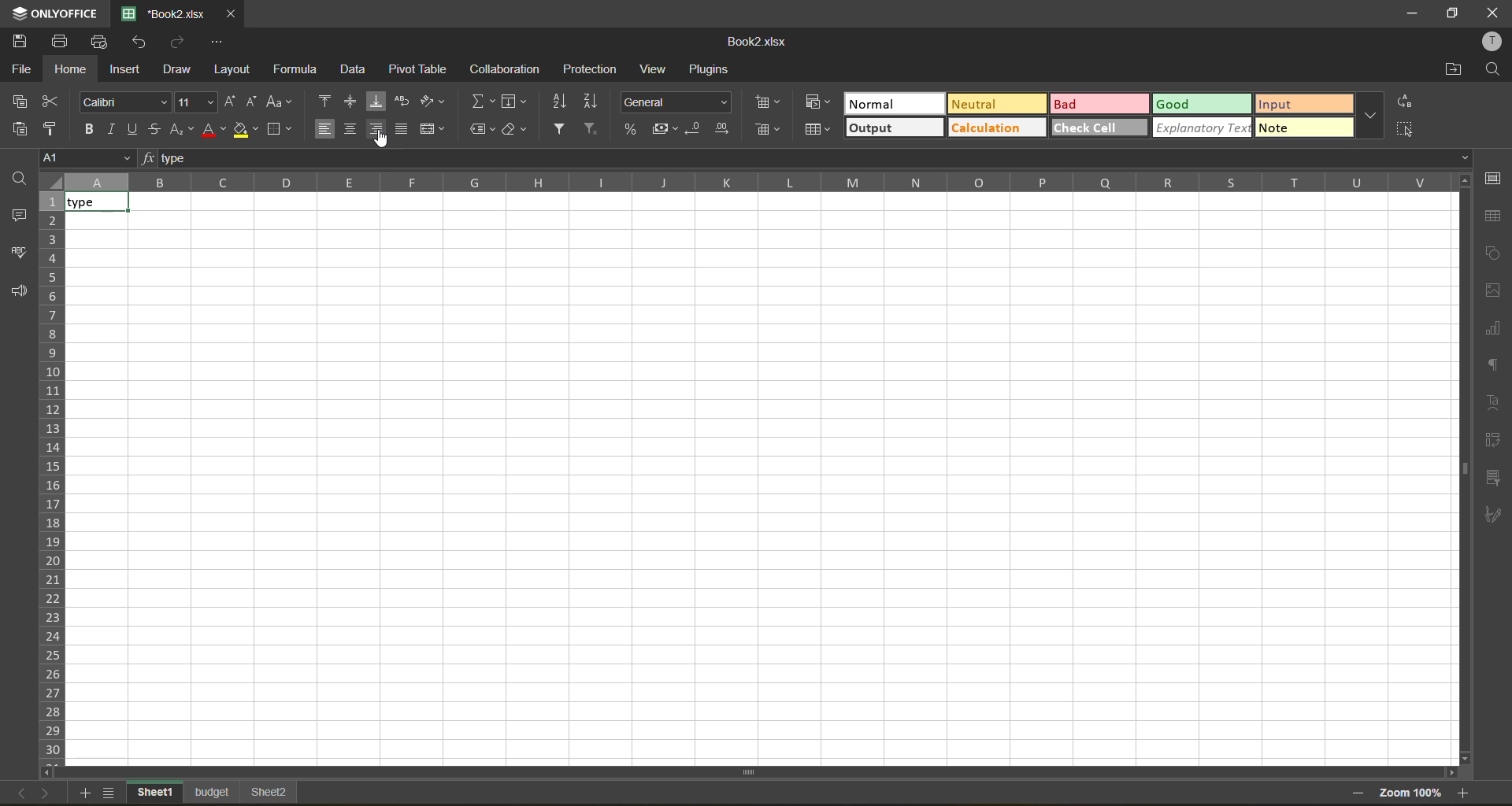 Image resolution: width=1512 pixels, height=806 pixels. Describe the element at coordinates (326, 103) in the screenshot. I see `align top` at that location.